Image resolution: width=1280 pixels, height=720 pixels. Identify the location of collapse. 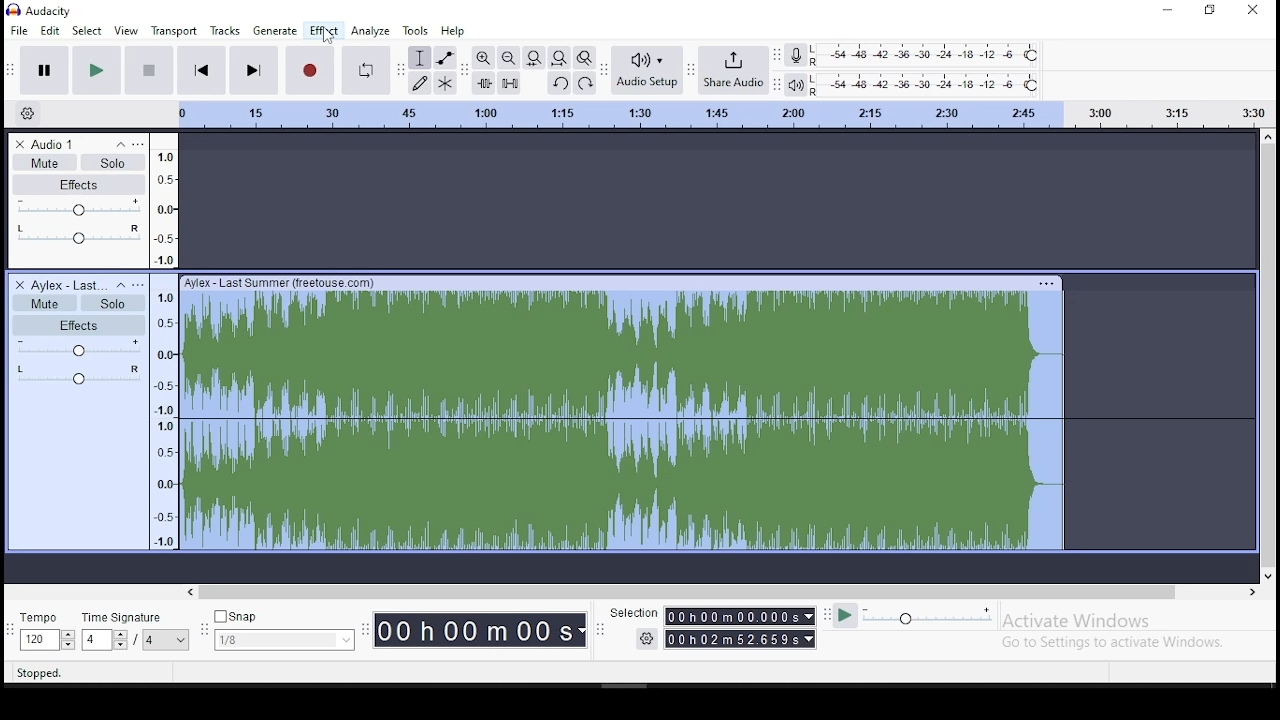
(119, 145).